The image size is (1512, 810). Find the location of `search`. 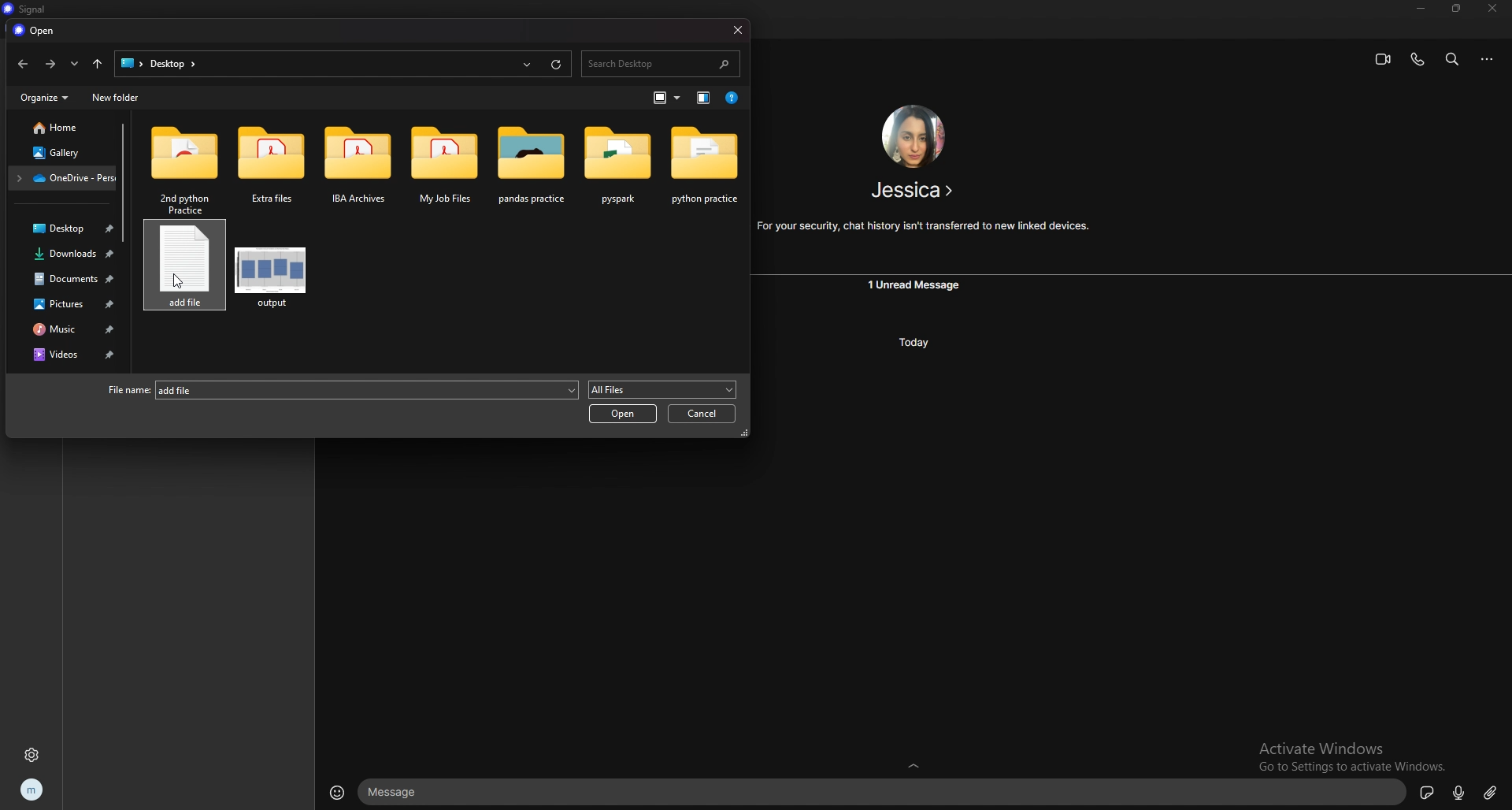

search is located at coordinates (1454, 58).